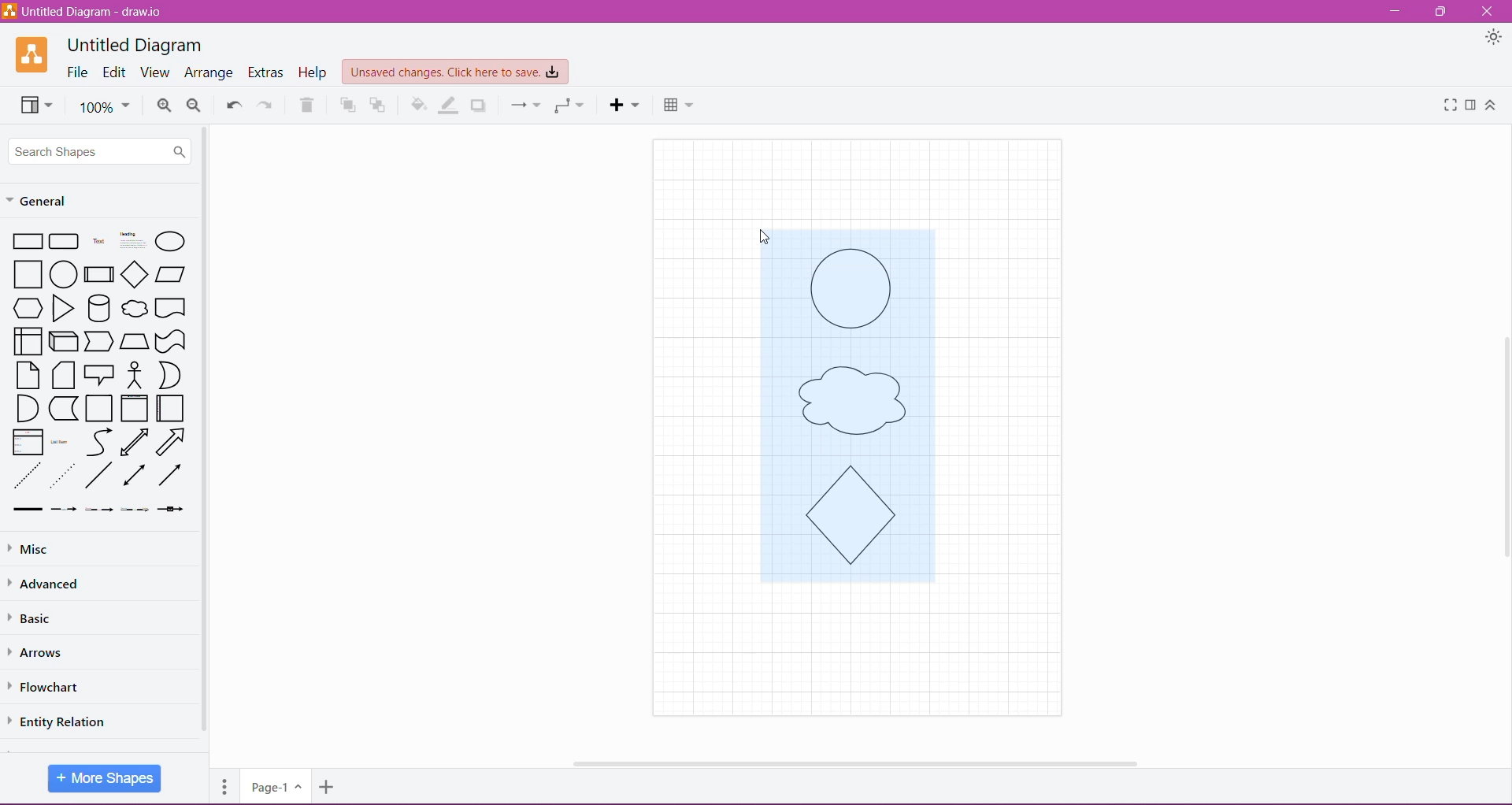  I want to click on Zoom, so click(104, 106).